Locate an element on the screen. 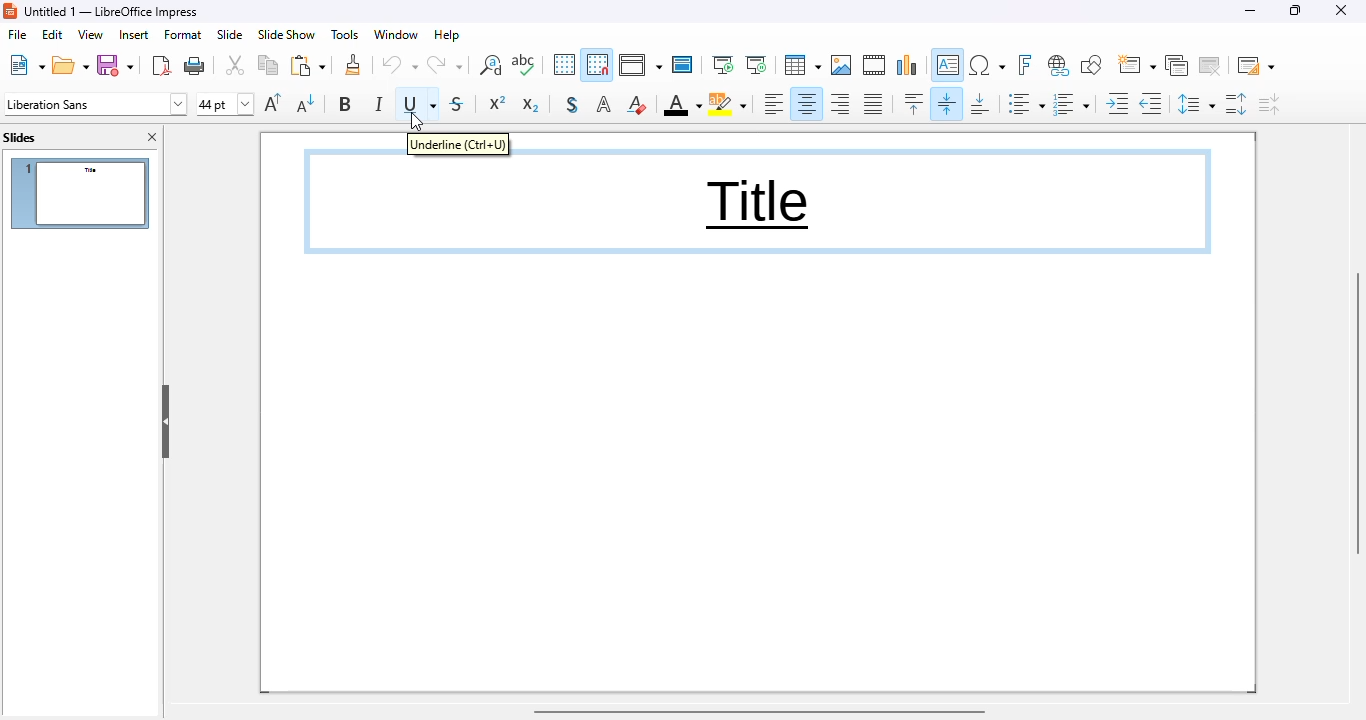 This screenshot has width=1366, height=720. display grid is located at coordinates (564, 65).